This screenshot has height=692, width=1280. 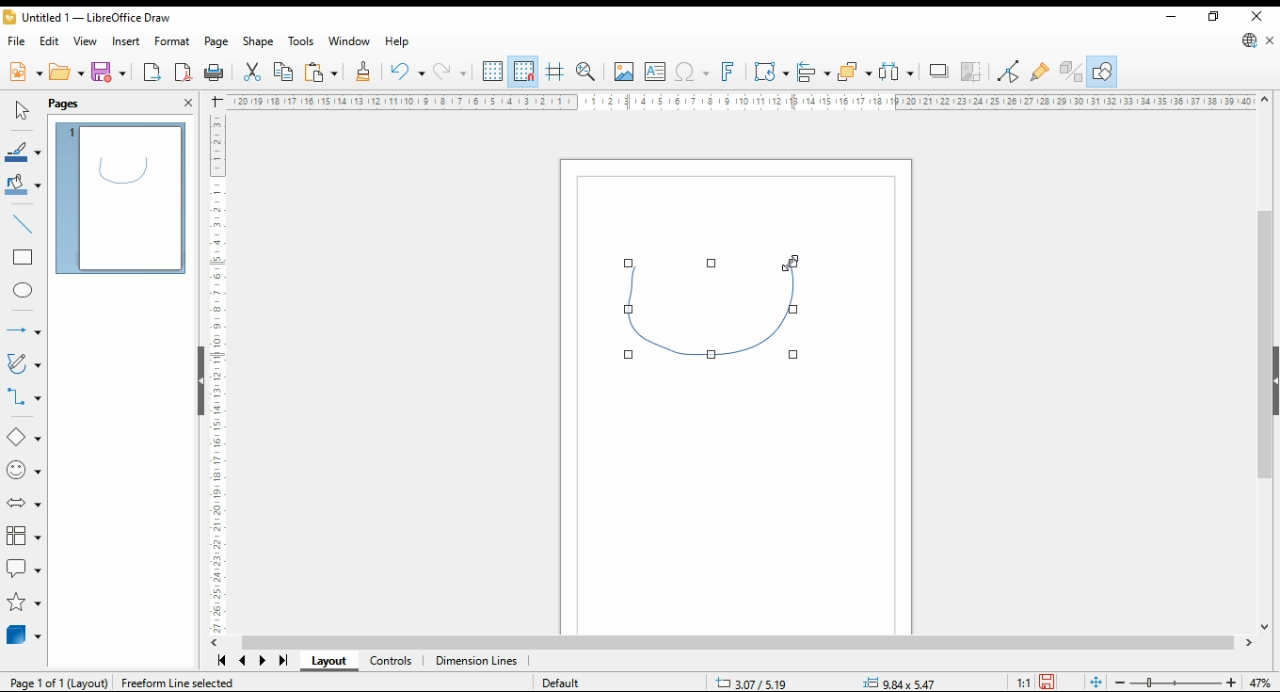 I want to click on help, so click(x=398, y=41).